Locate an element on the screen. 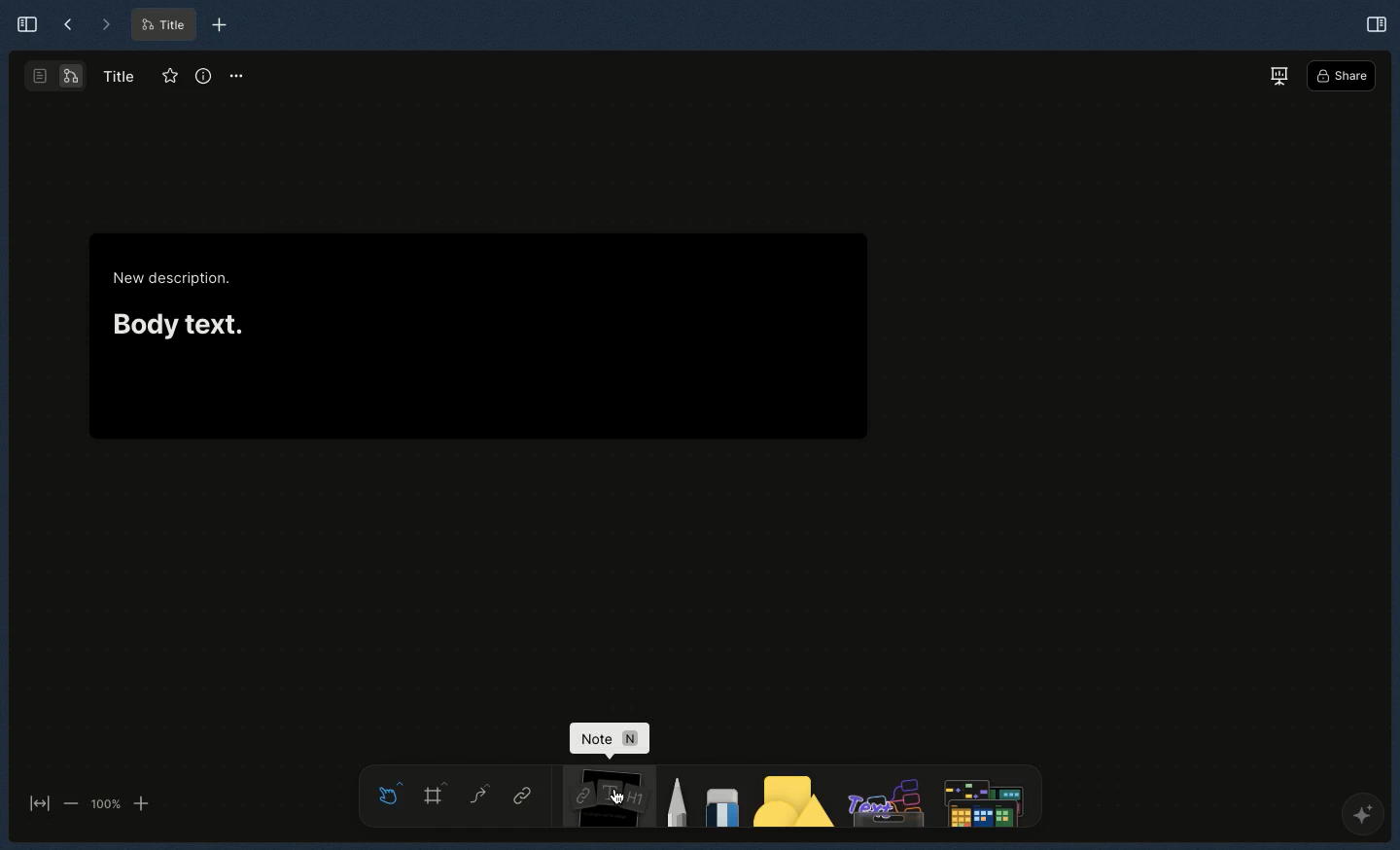 Image resolution: width=1400 pixels, height=850 pixels. Title is located at coordinates (117, 75).